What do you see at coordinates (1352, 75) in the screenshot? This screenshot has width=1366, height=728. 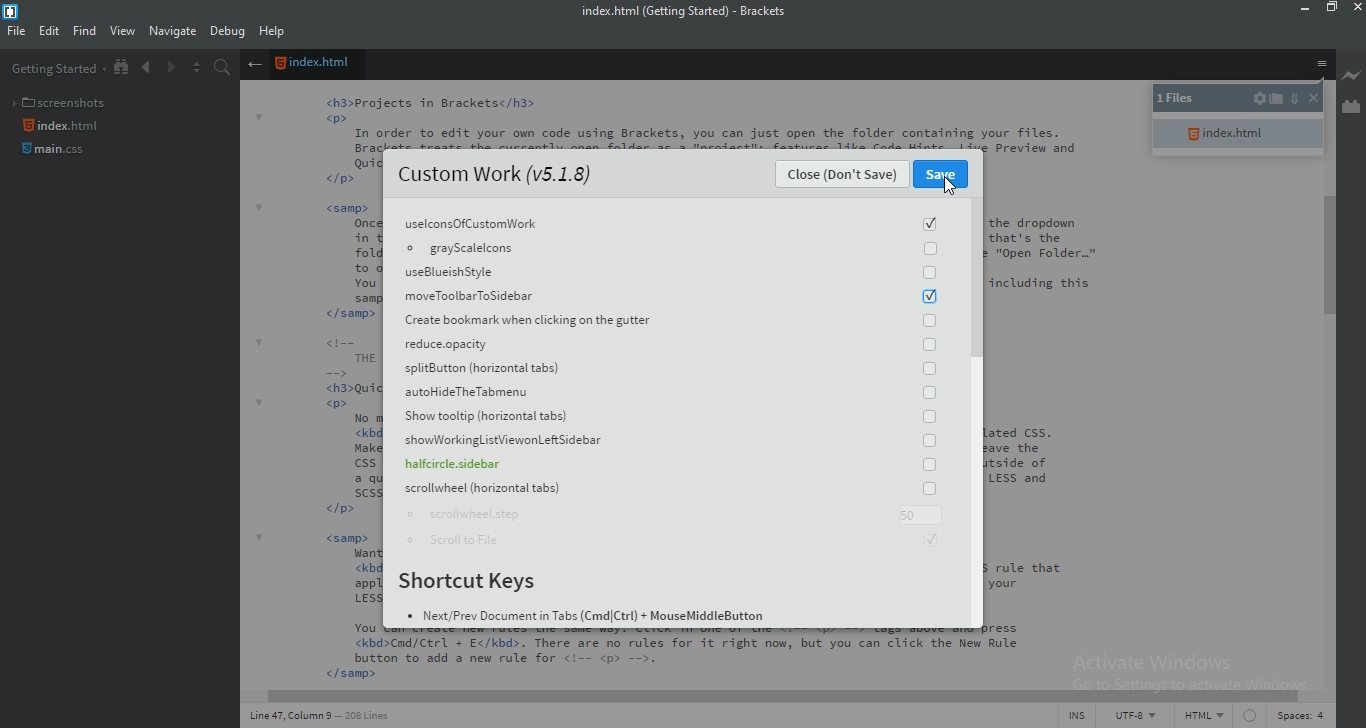 I see `live preview` at bounding box center [1352, 75].